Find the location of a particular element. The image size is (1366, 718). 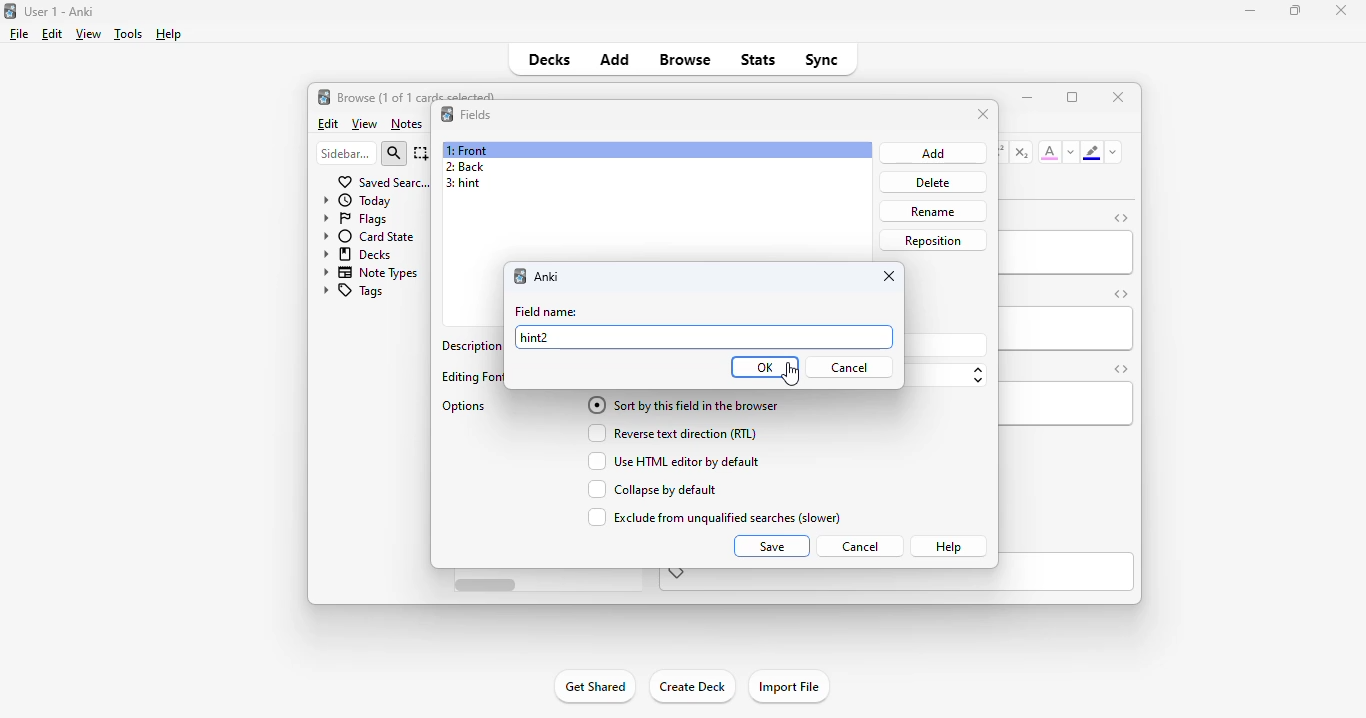

use HTML editor by default is located at coordinates (672, 461).